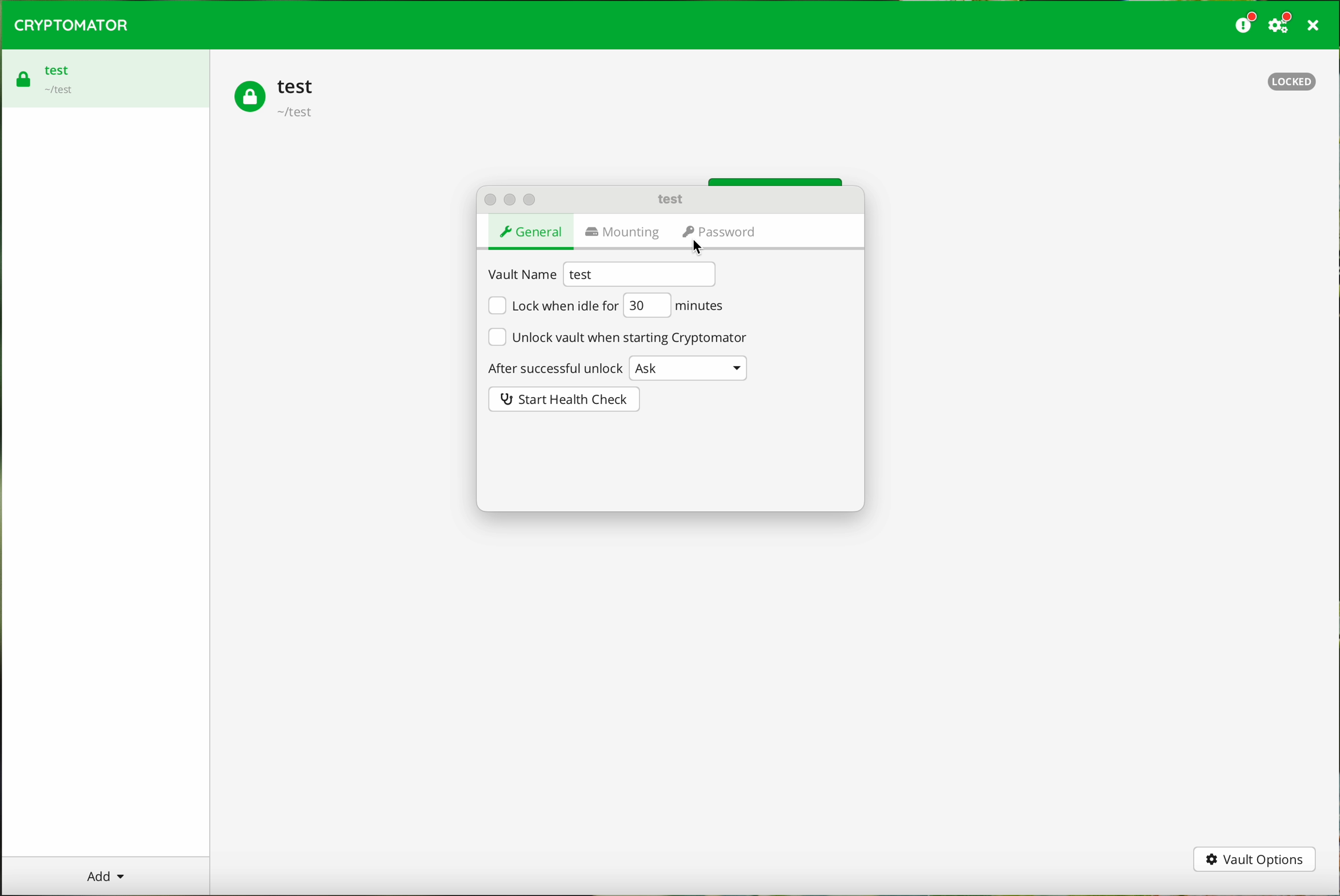 Image resolution: width=1340 pixels, height=896 pixels. What do you see at coordinates (1255, 859) in the screenshot?
I see `vault options` at bounding box center [1255, 859].